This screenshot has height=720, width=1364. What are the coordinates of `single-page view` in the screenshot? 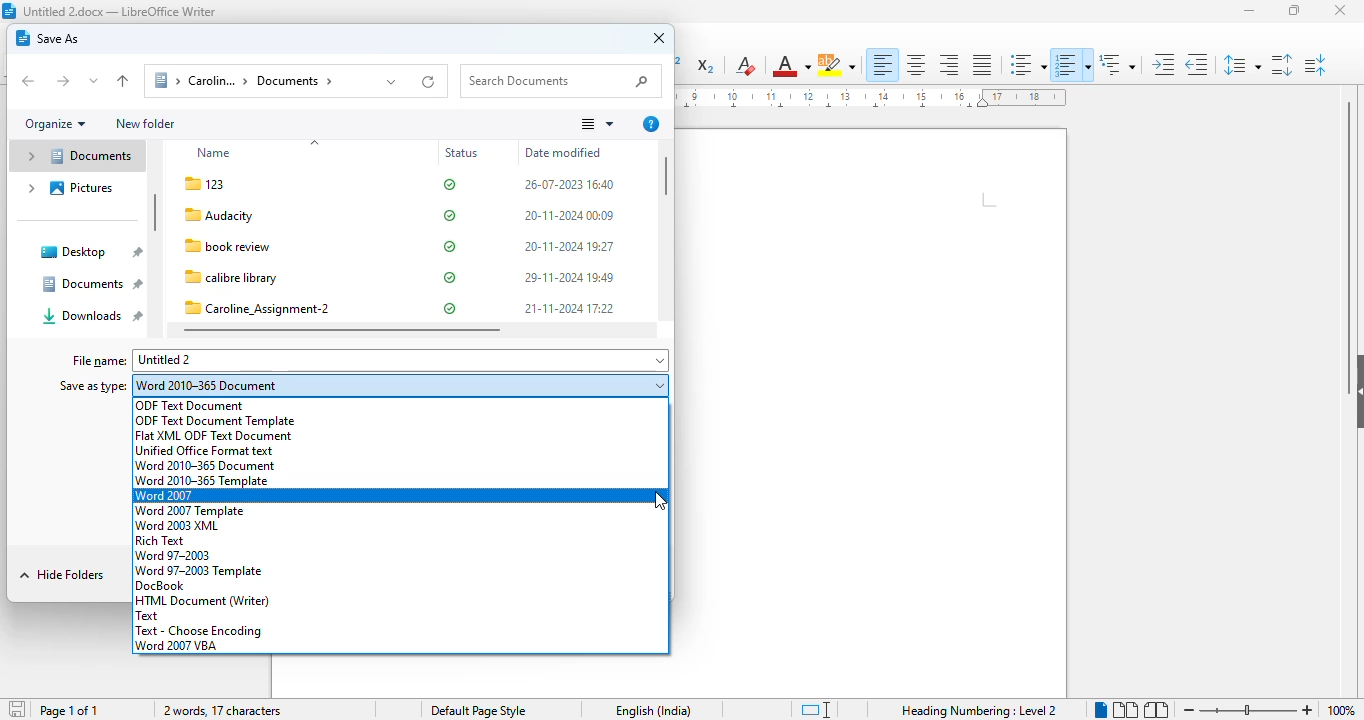 It's located at (1101, 710).